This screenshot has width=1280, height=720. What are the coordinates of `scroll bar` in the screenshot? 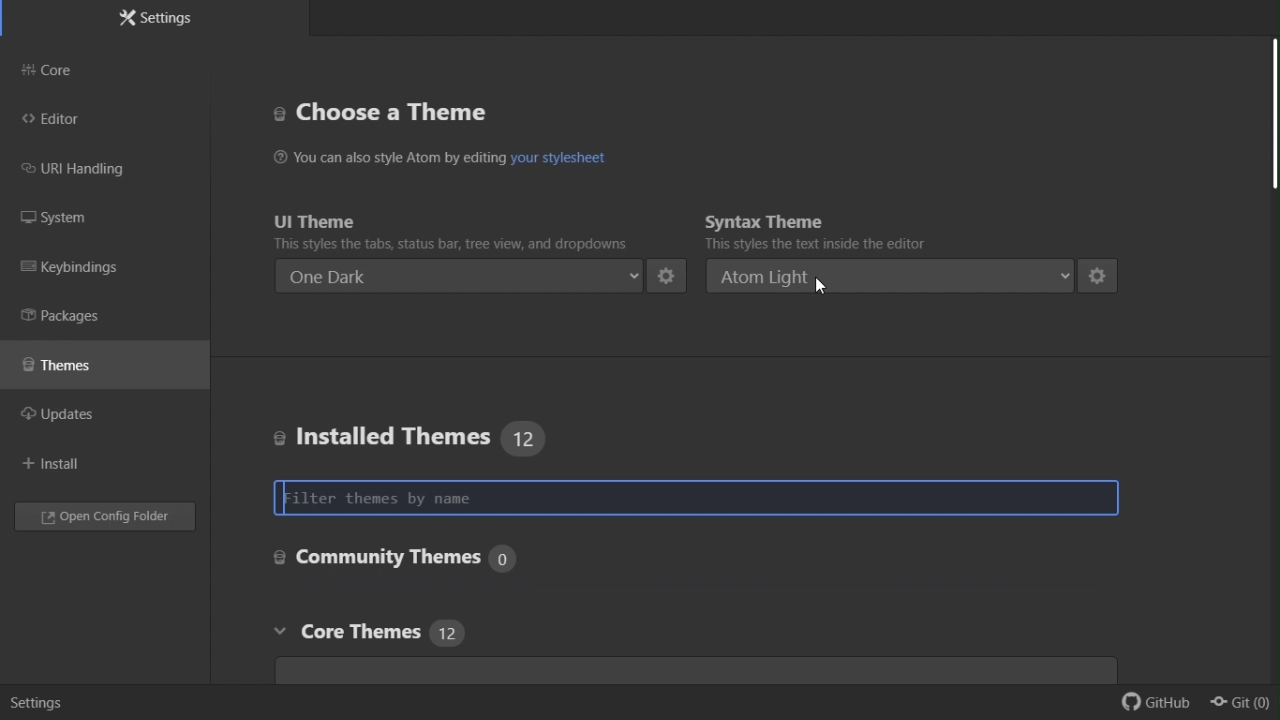 It's located at (1271, 119).